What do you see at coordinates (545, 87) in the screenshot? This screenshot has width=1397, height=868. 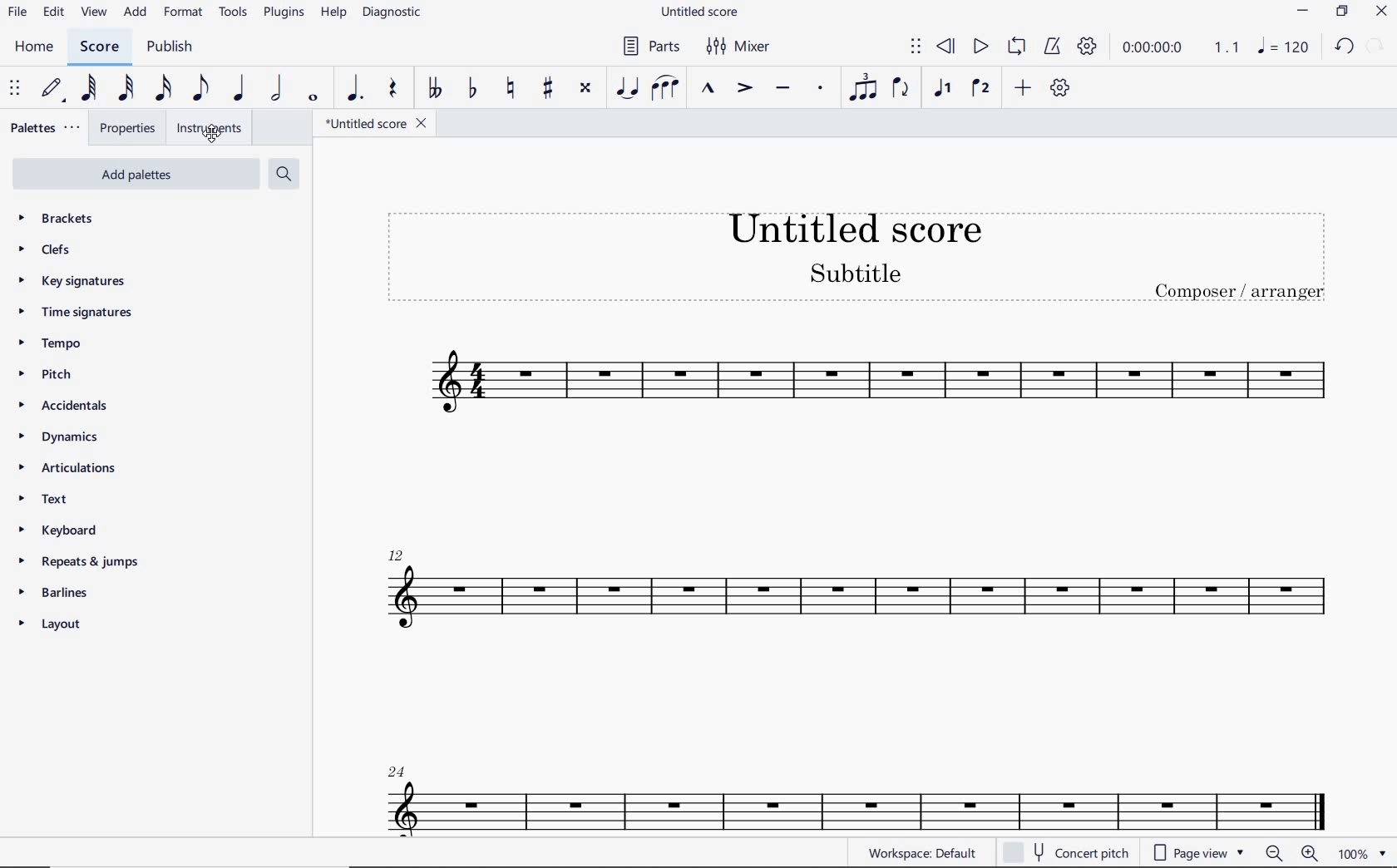 I see `TOGGLE SHARP` at bounding box center [545, 87].